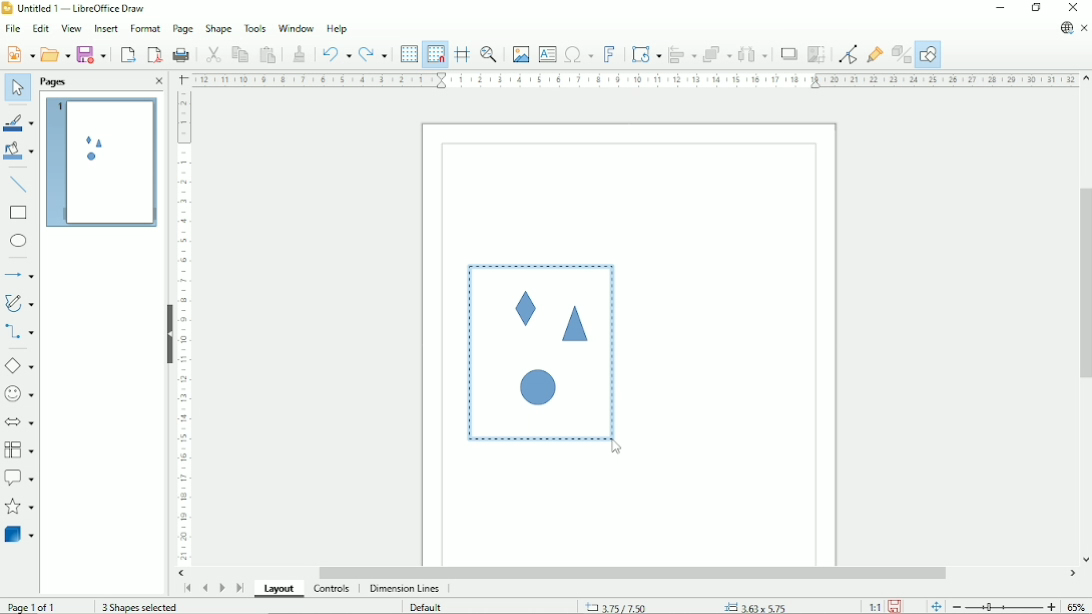  I want to click on Shape, so click(218, 29).